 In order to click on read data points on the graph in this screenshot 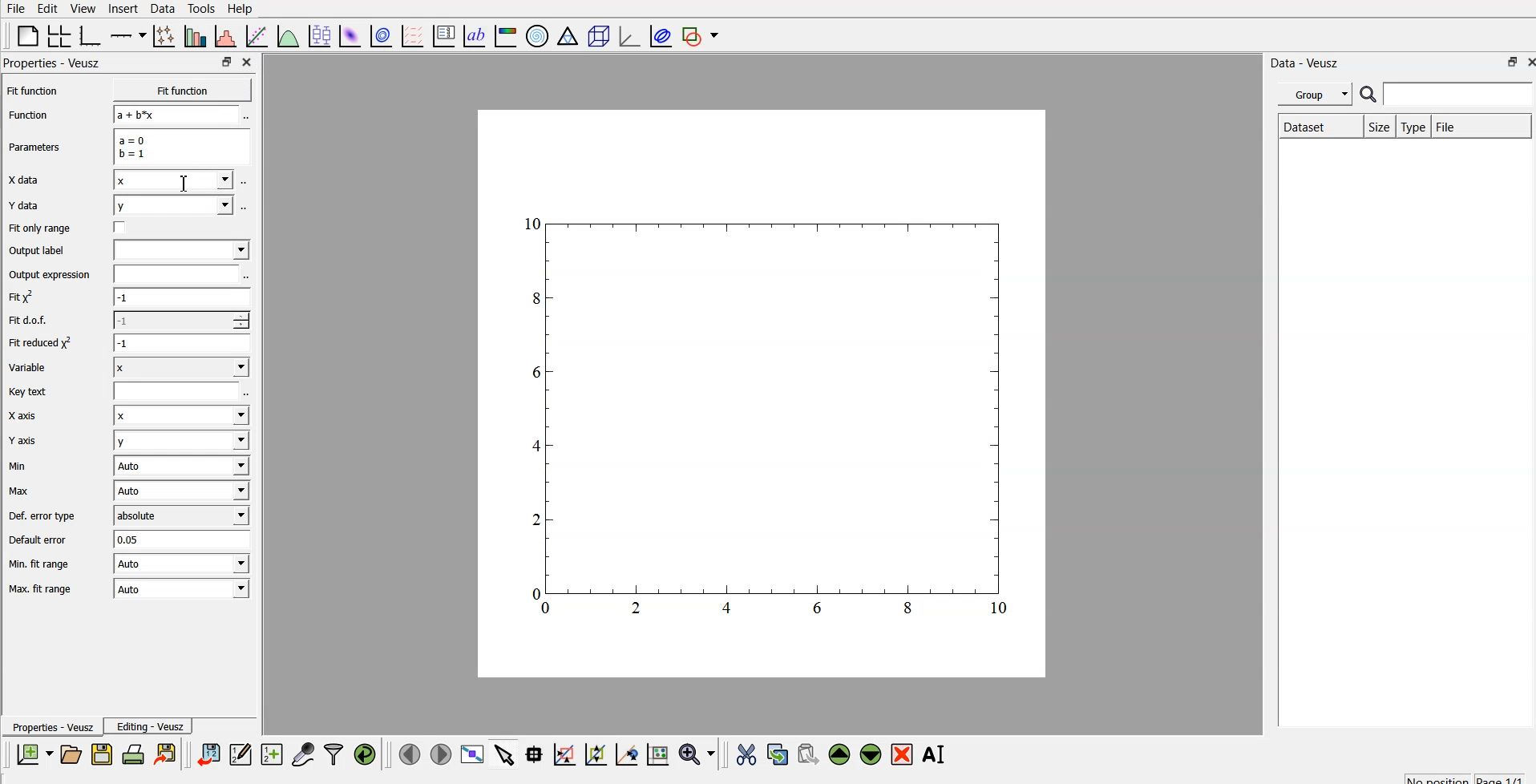, I will do `click(536, 755)`.